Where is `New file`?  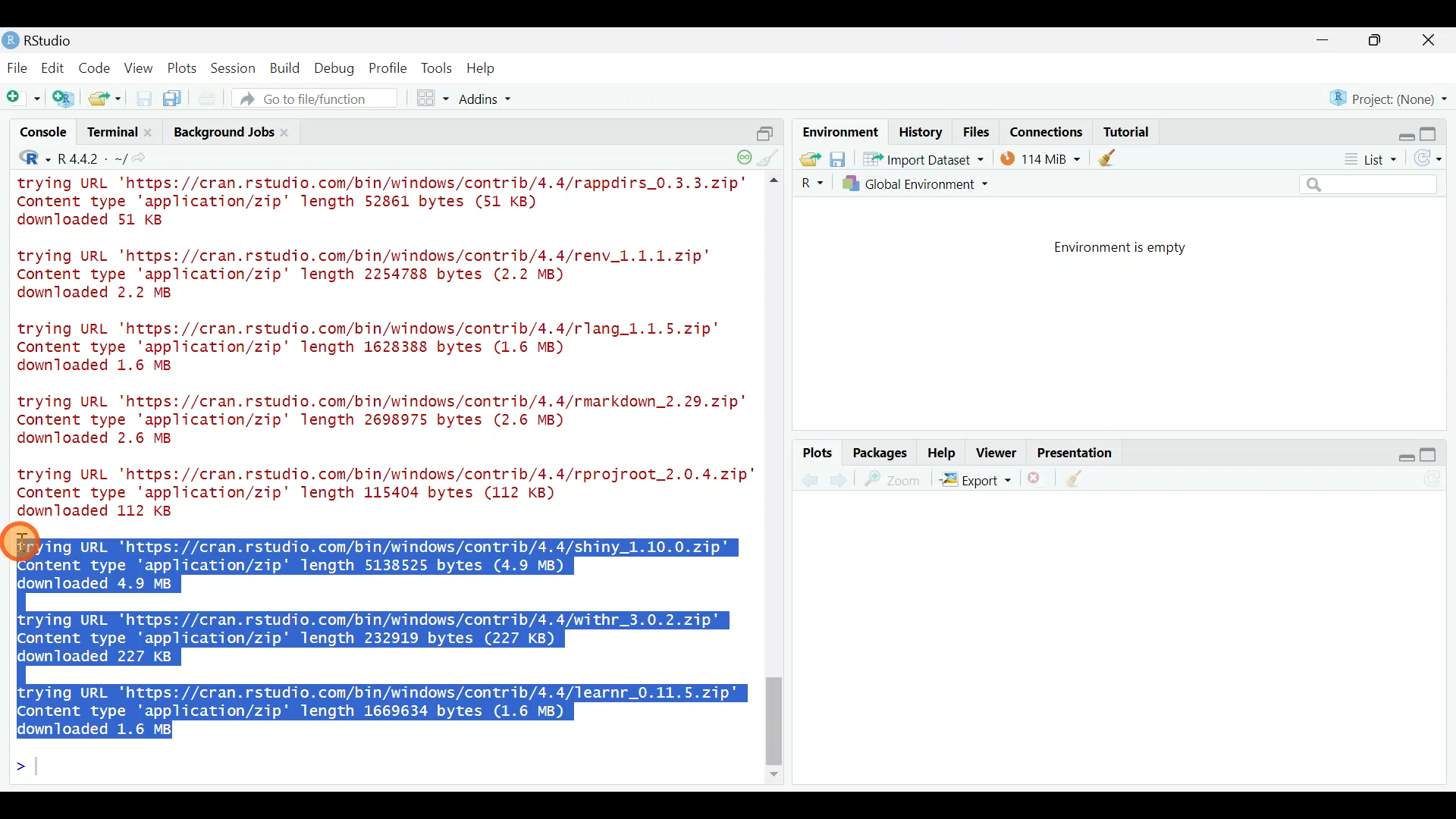
New file is located at coordinates (22, 99).